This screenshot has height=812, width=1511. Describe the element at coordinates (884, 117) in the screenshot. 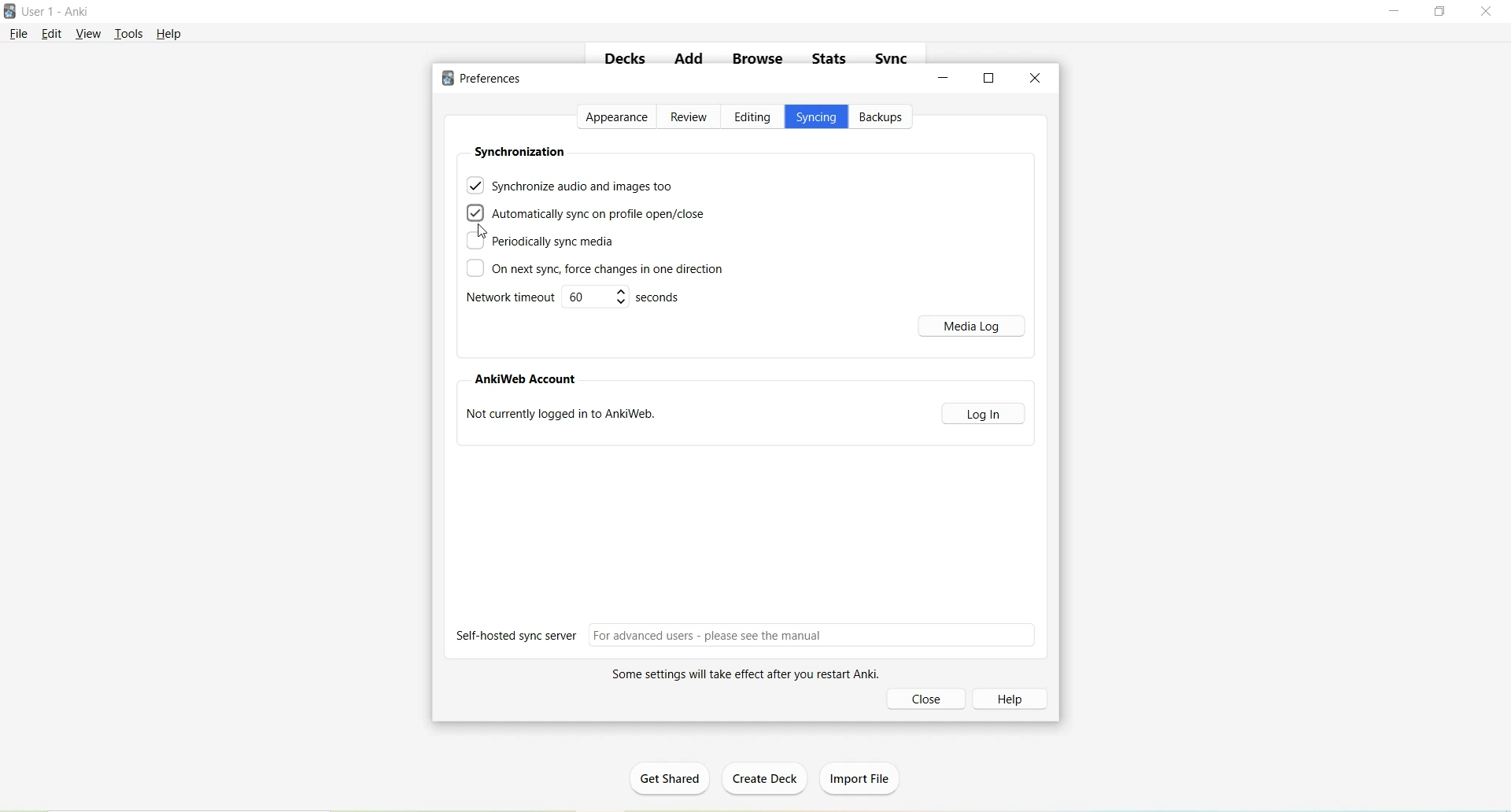

I see `Backups` at that location.